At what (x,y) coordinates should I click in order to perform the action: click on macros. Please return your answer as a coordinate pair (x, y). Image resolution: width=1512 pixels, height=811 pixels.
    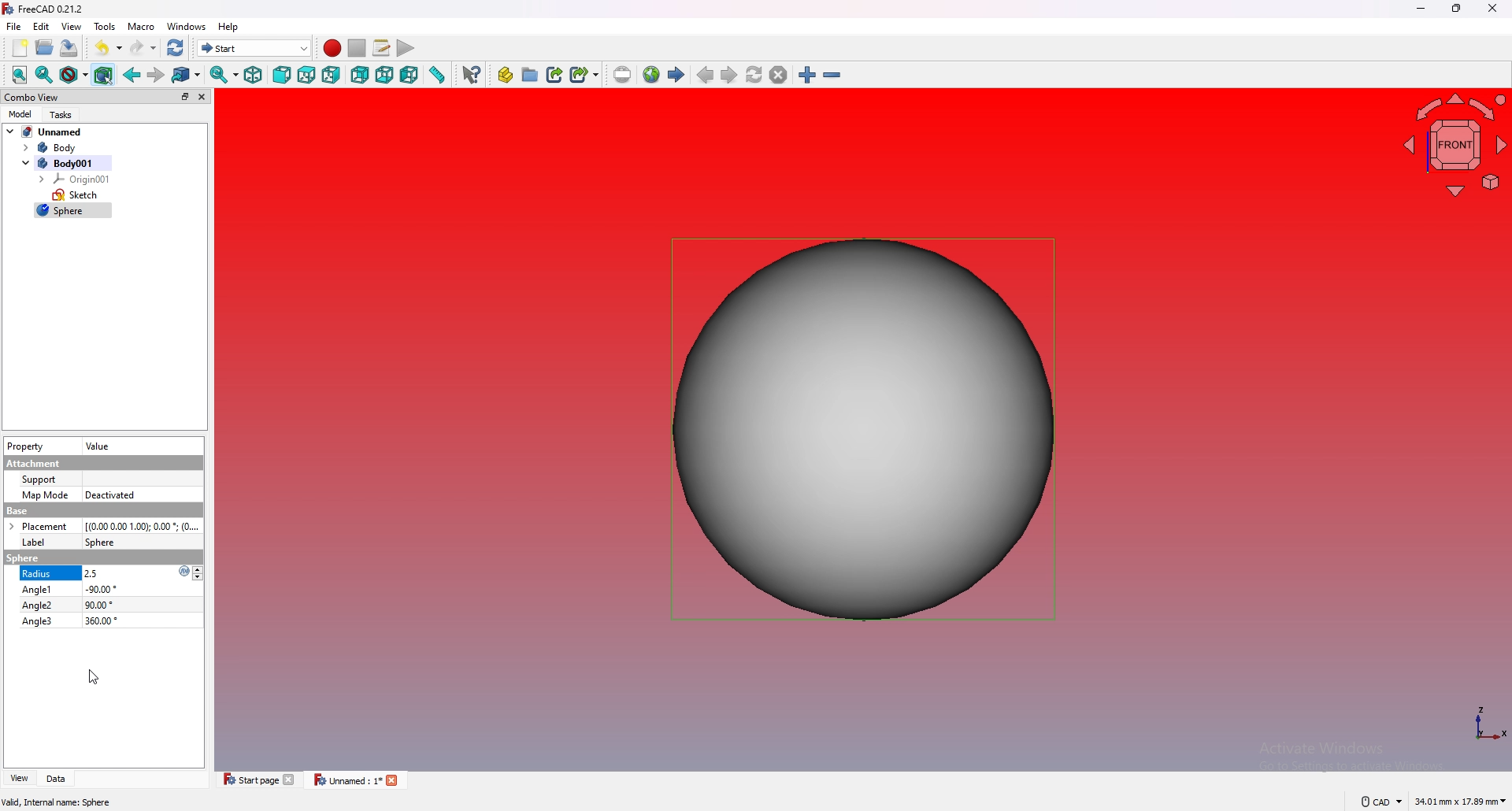
    Looking at the image, I should click on (381, 48).